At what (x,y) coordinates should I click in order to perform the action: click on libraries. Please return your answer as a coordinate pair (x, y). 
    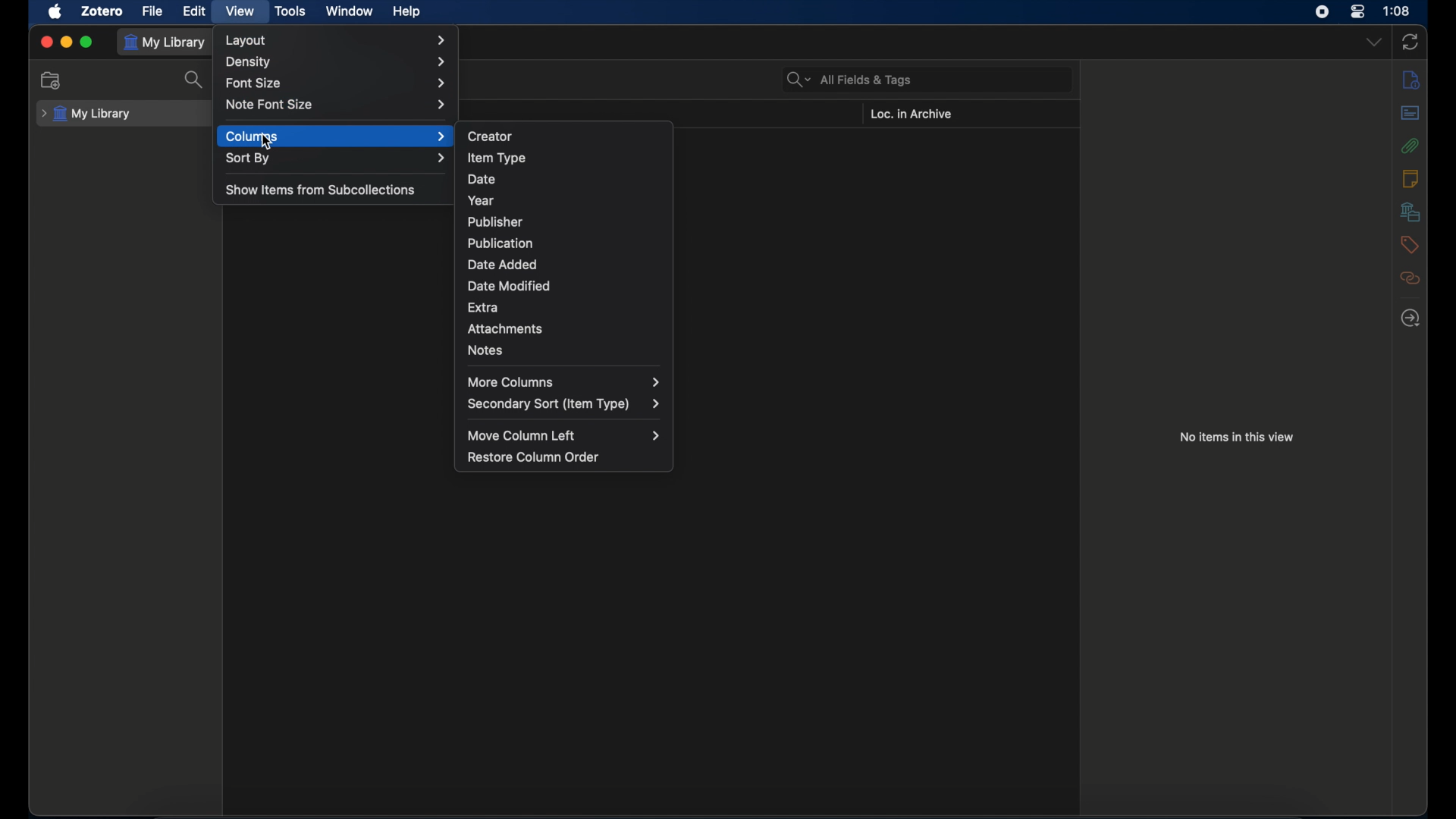
    Looking at the image, I should click on (1410, 212).